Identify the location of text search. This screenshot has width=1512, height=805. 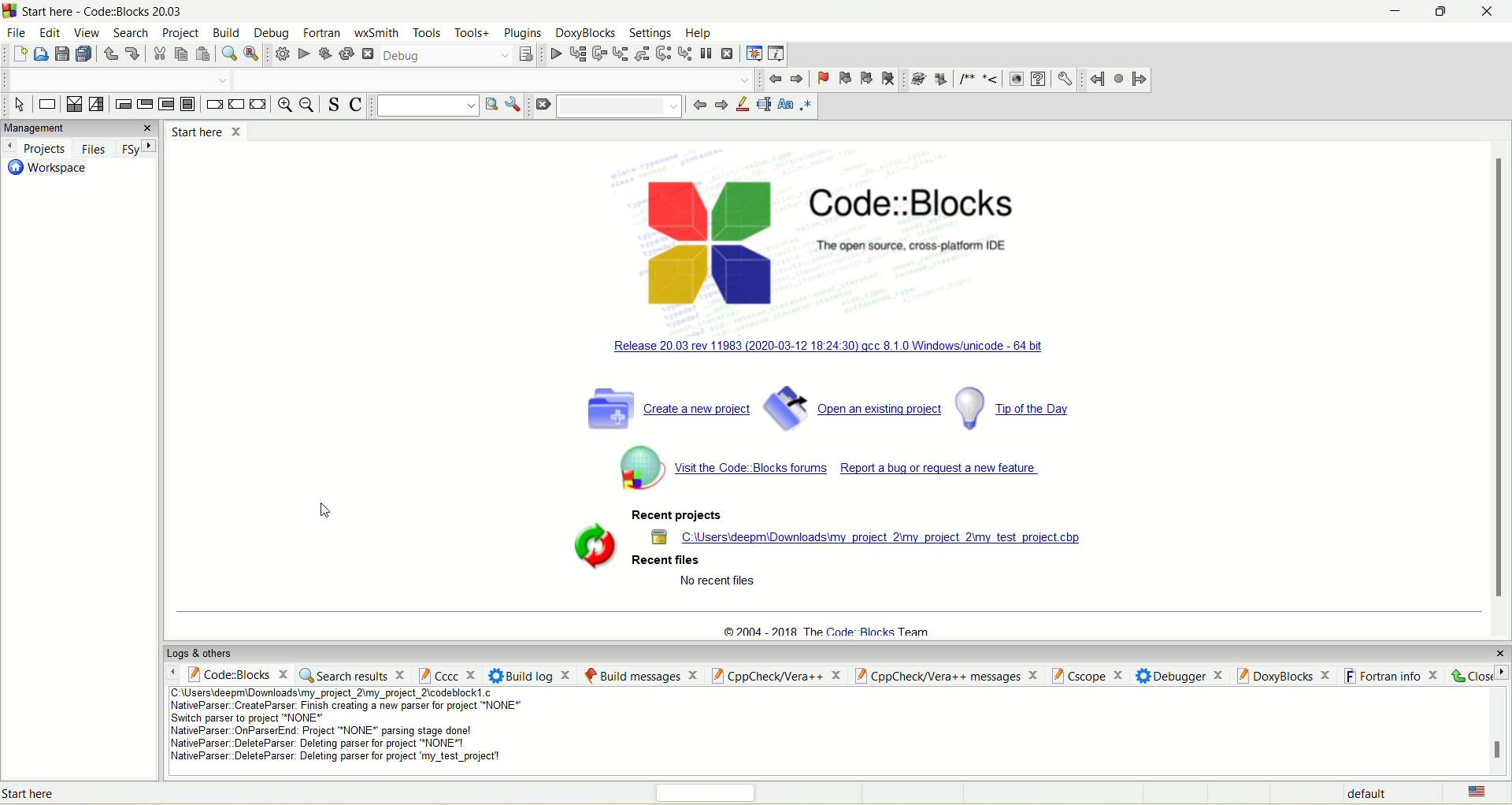
(424, 106).